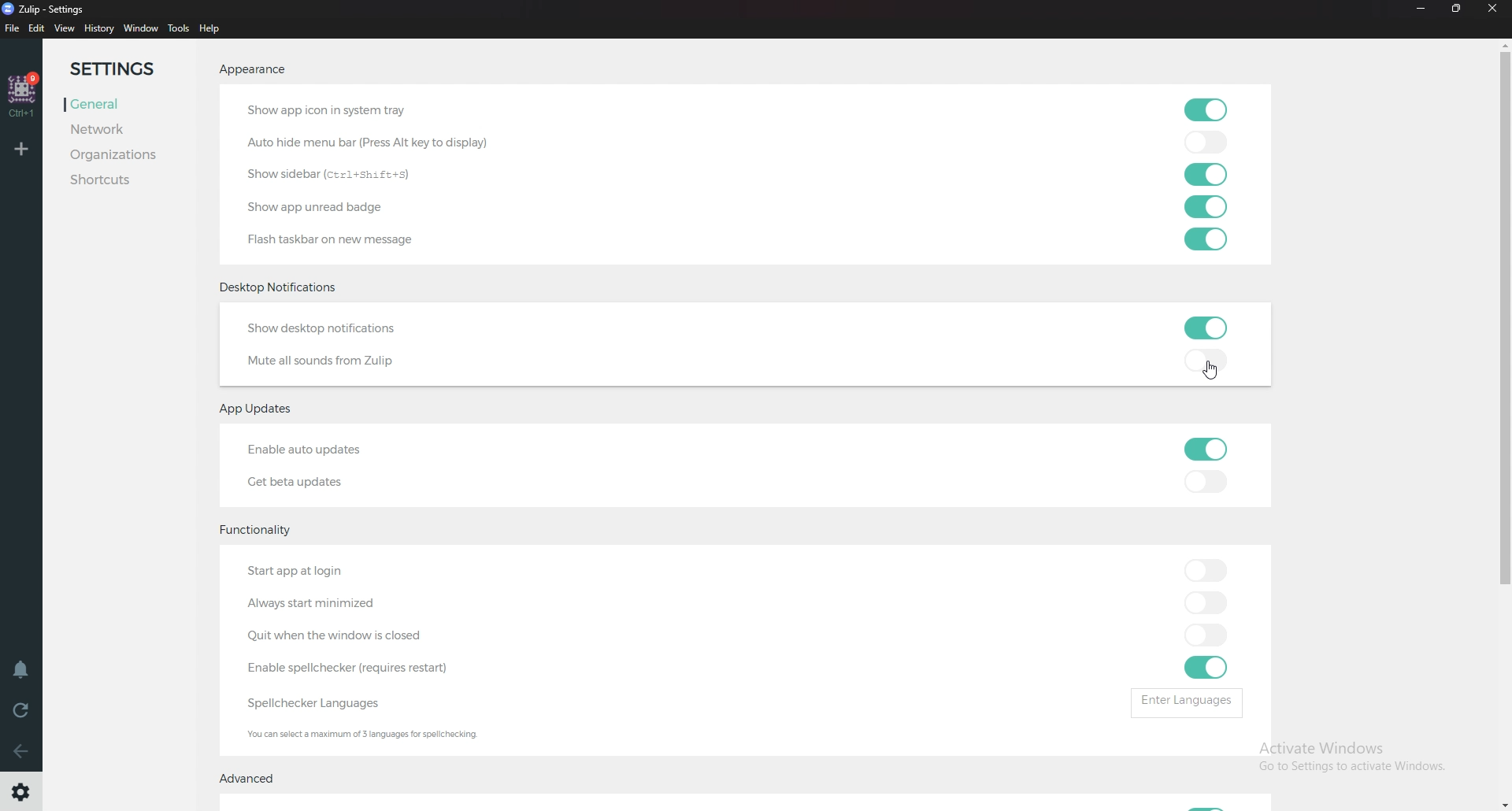 This screenshot has width=1512, height=811. What do you see at coordinates (20, 671) in the screenshot?
I see `Enable do not disturb` at bounding box center [20, 671].